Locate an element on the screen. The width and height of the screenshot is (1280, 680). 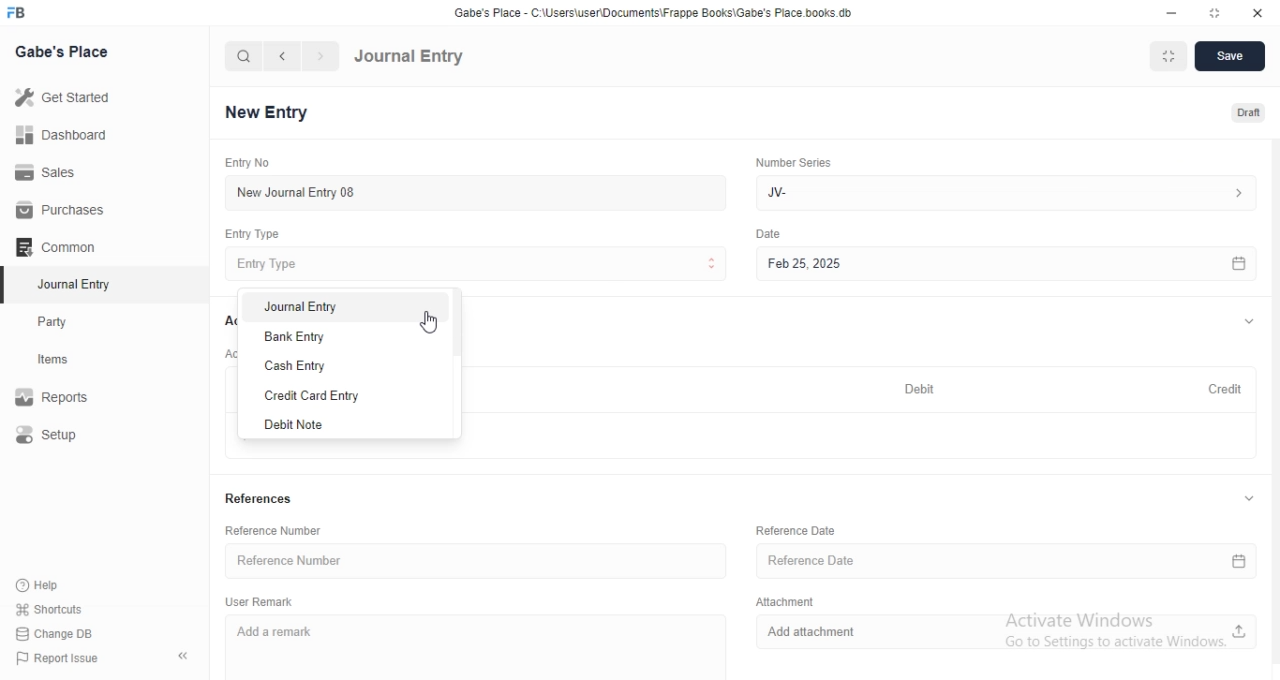
close is located at coordinates (1256, 11).